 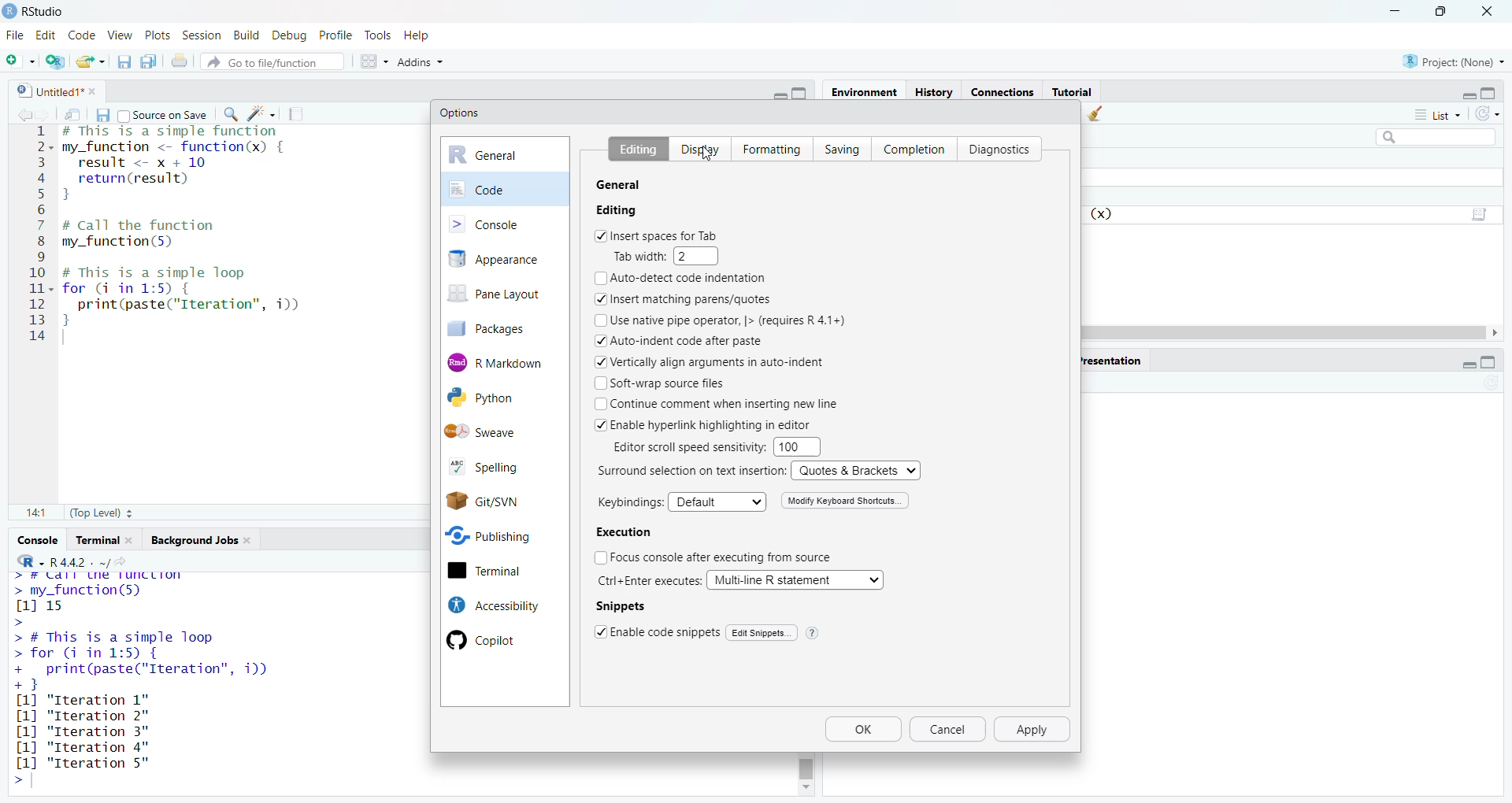 What do you see at coordinates (1482, 212) in the screenshot?
I see `script` at bounding box center [1482, 212].